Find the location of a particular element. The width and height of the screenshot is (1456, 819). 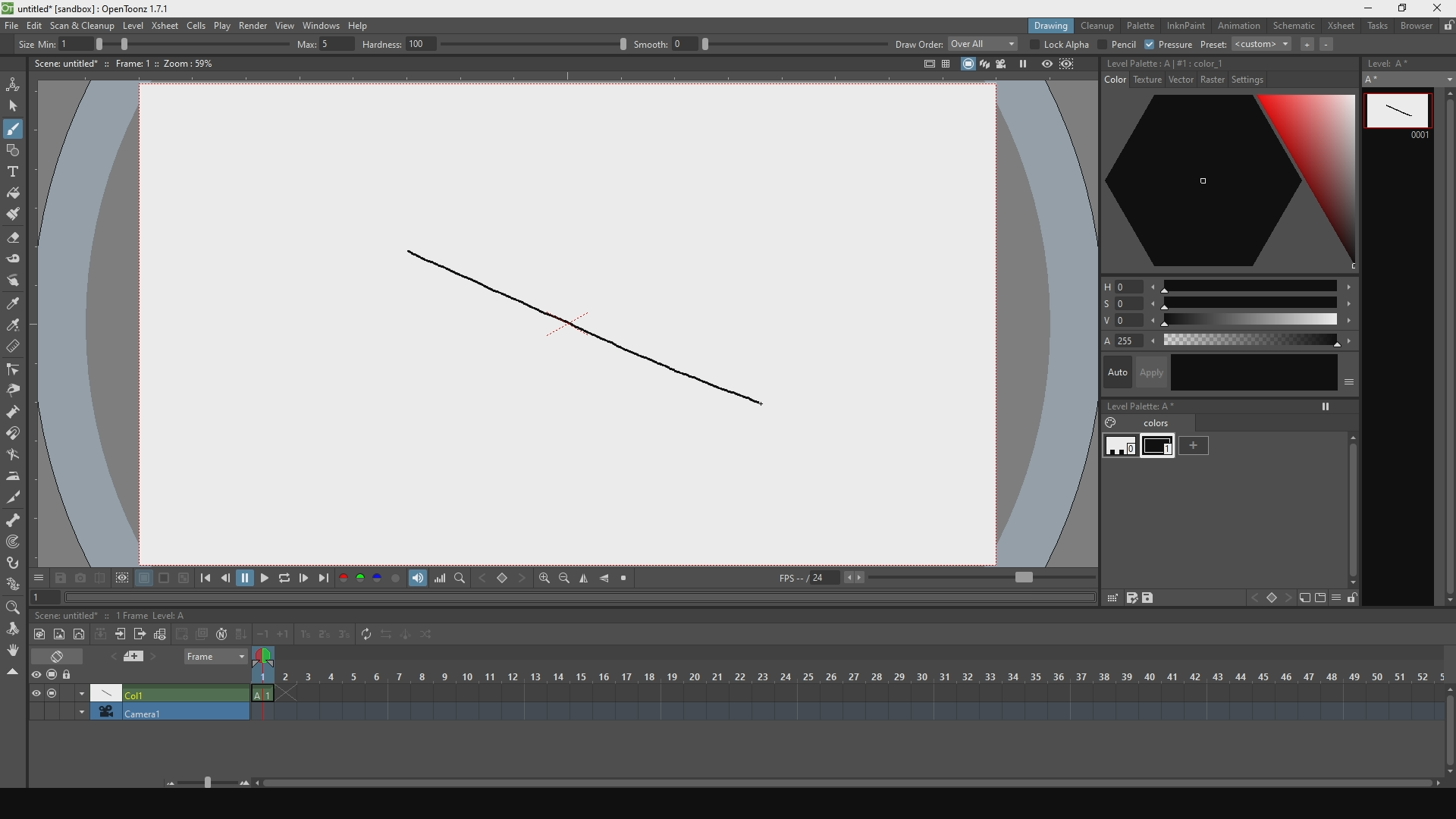

size percentage is located at coordinates (197, 44).